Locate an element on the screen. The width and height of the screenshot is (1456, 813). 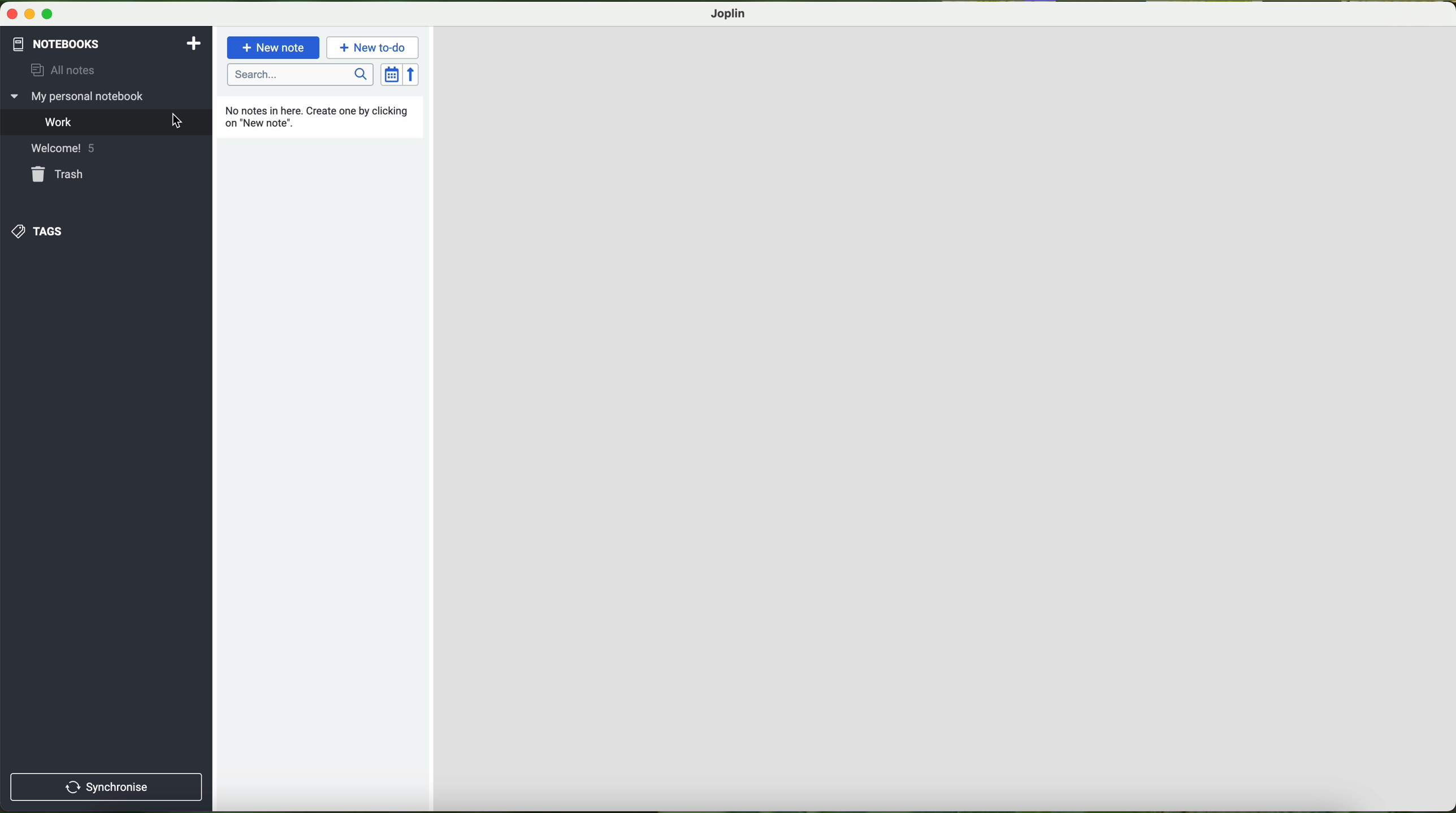
minimize is located at coordinates (31, 15).